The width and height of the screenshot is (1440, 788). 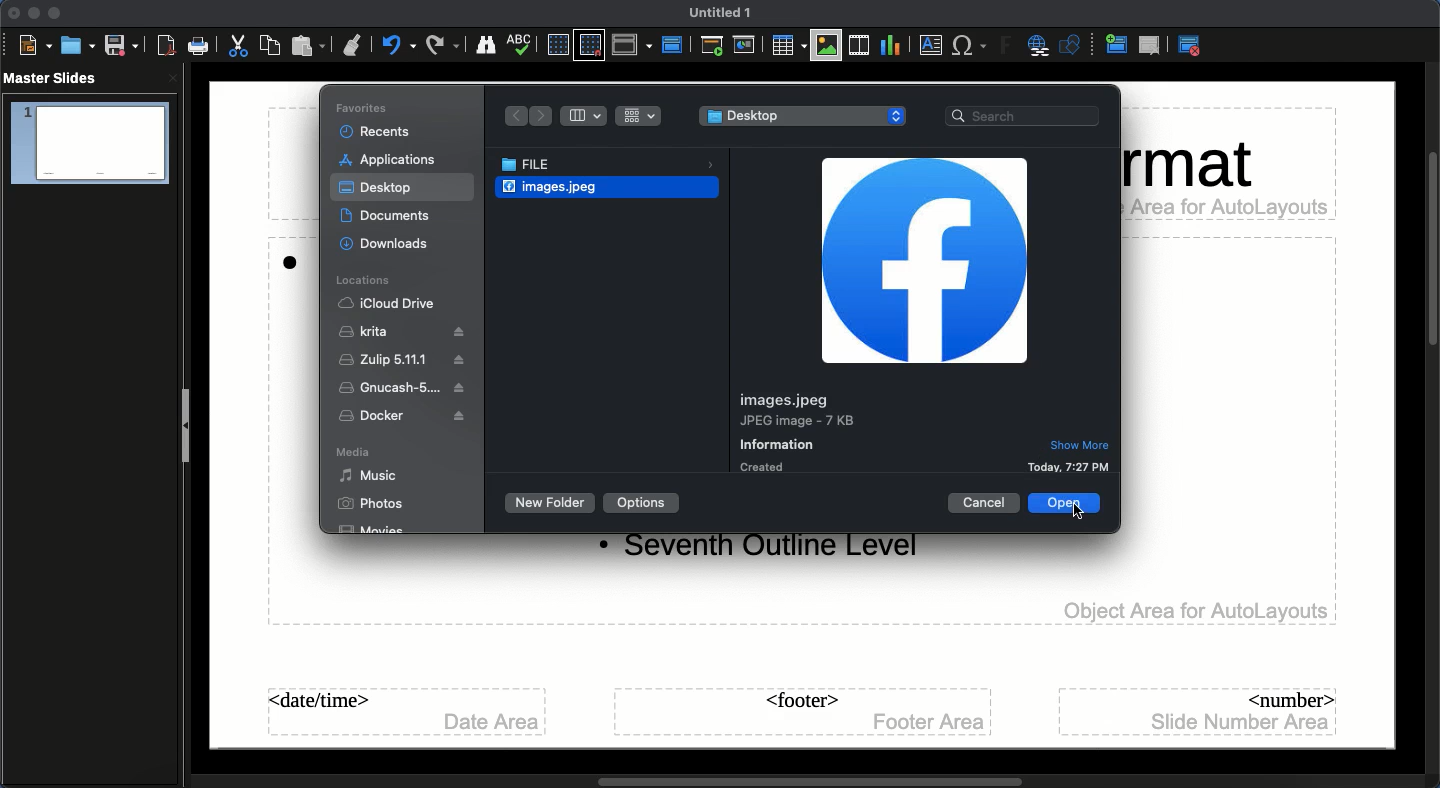 What do you see at coordinates (558, 45) in the screenshot?
I see `Display grid` at bounding box center [558, 45].